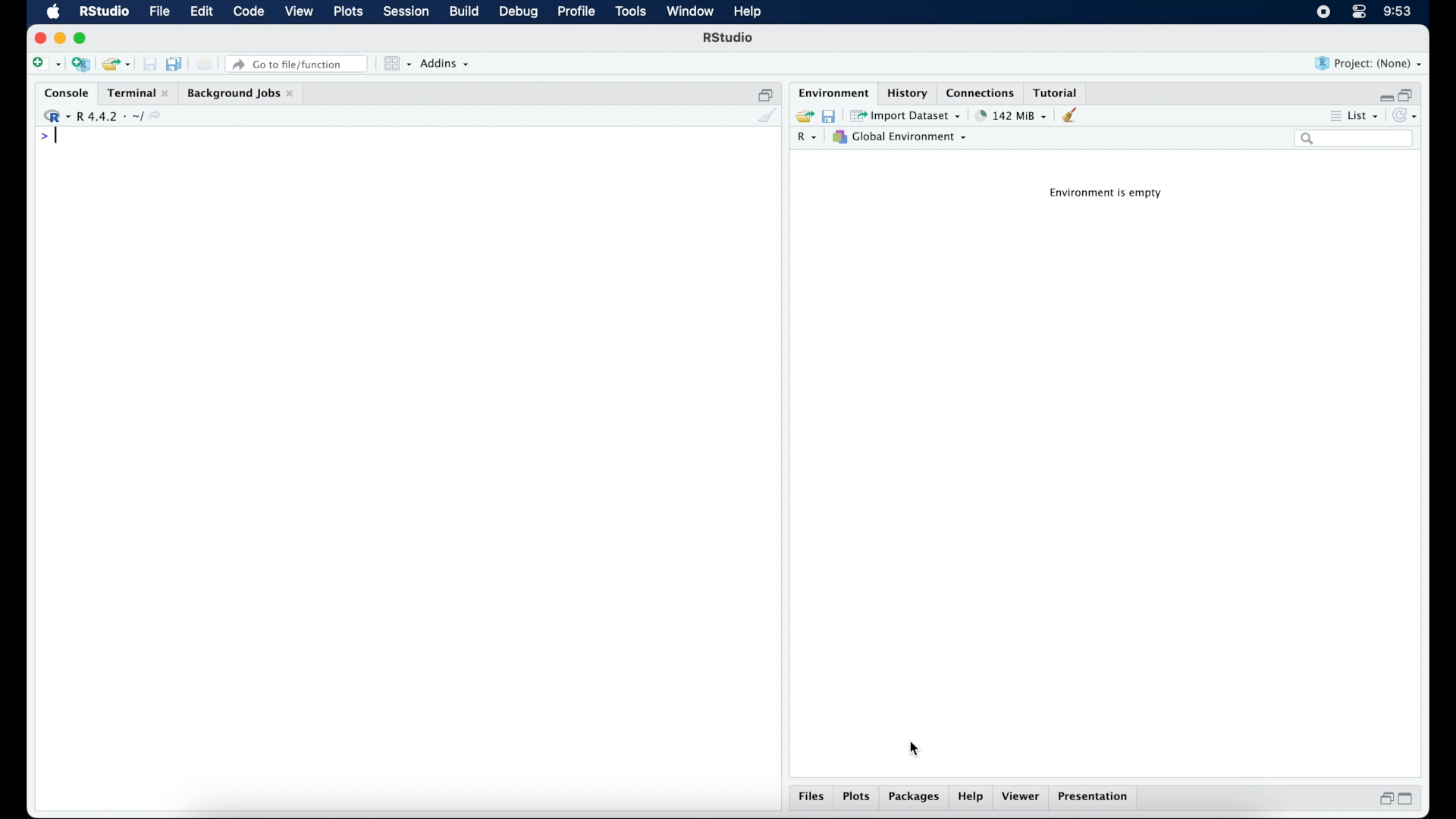 The image size is (1456, 819). Describe the element at coordinates (174, 62) in the screenshot. I see `save all open documents` at that location.